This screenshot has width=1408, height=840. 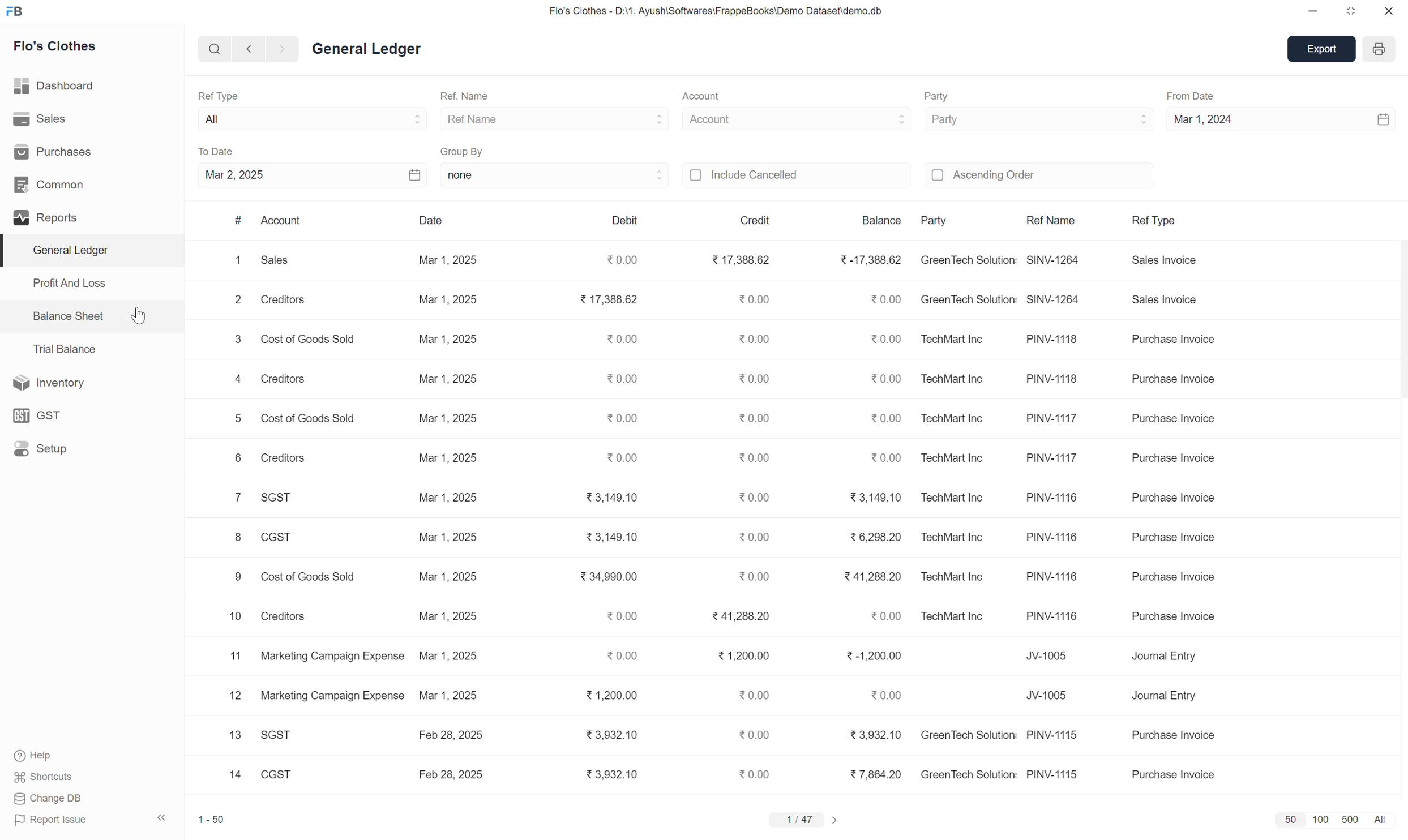 I want to click on Mar 1, 2025, so click(x=447, y=379).